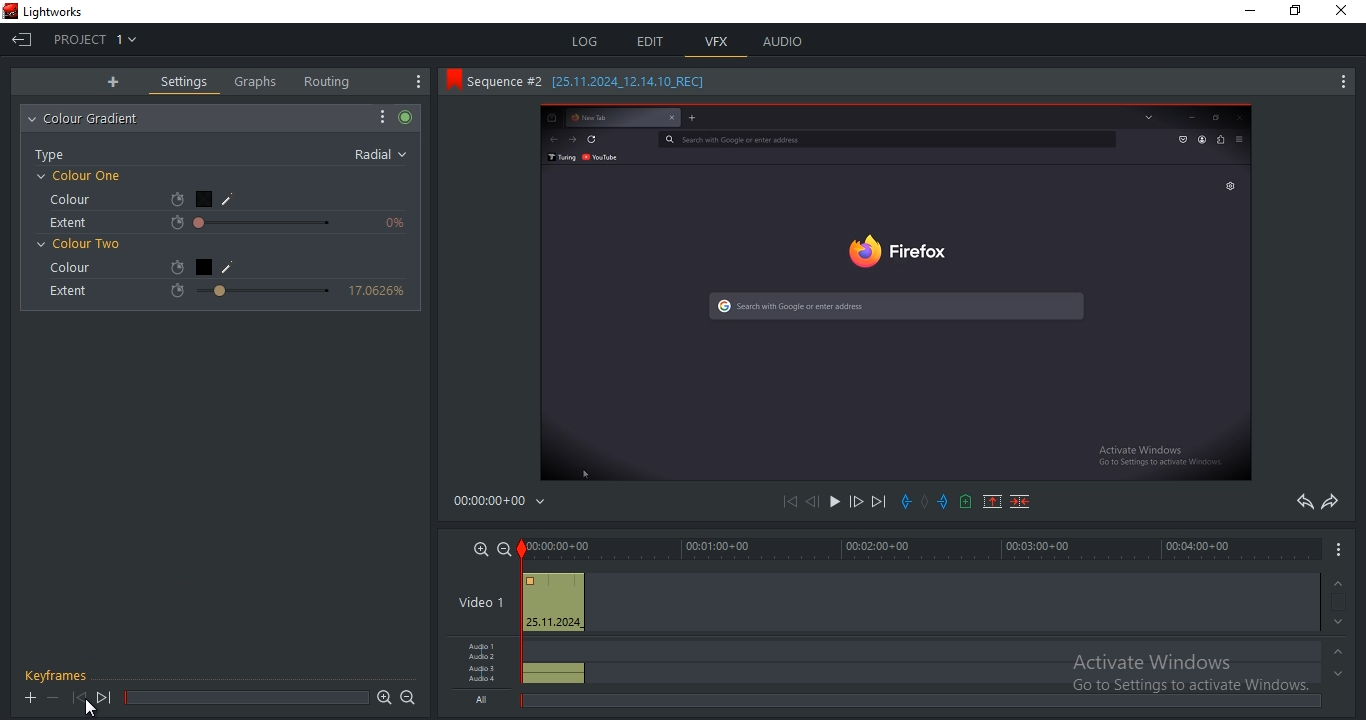 This screenshot has height=720, width=1366. What do you see at coordinates (67, 265) in the screenshot?
I see `colour` at bounding box center [67, 265].